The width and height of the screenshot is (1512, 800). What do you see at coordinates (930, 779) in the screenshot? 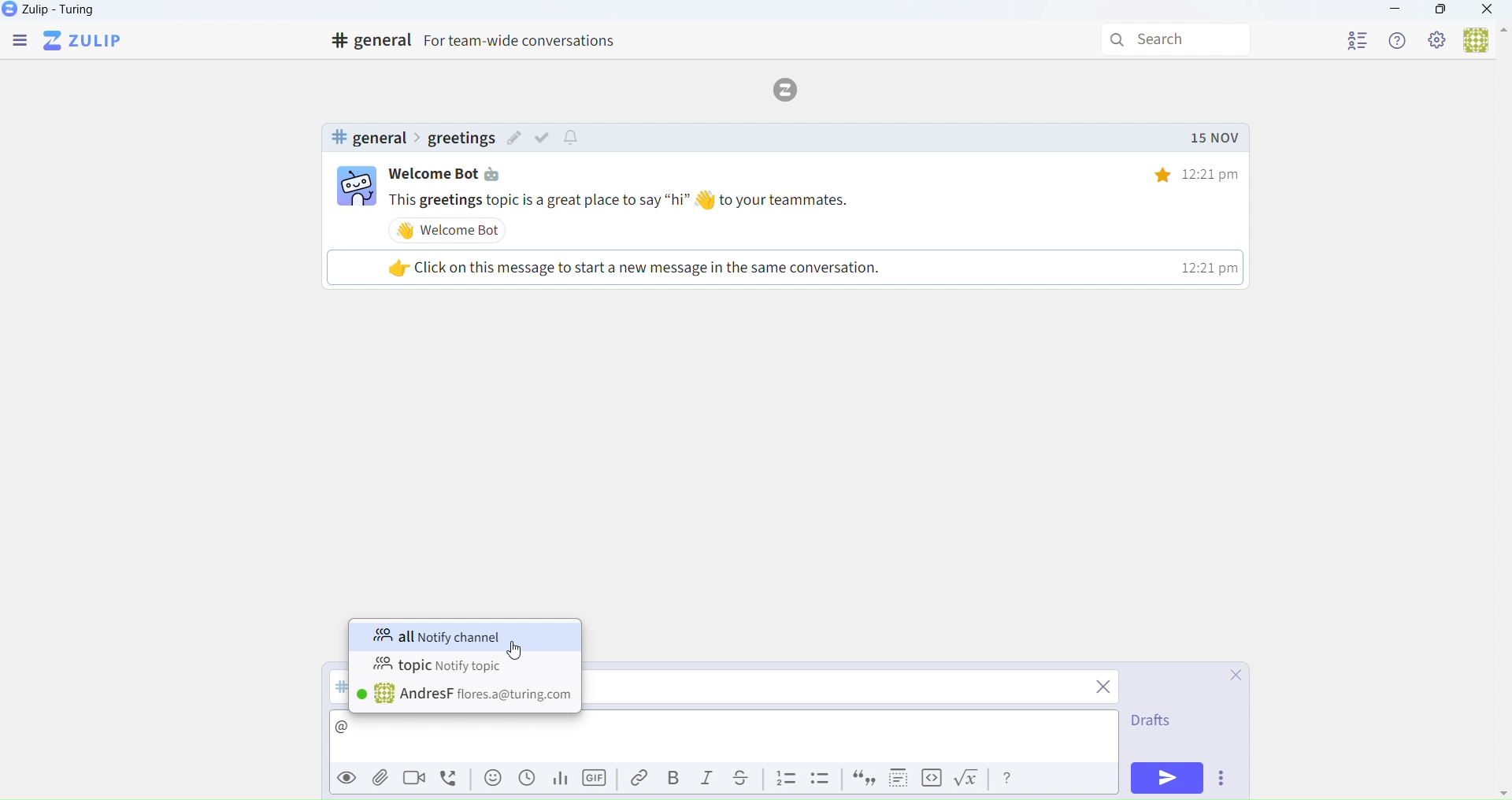
I see `Code` at bounding box center [930, 779].